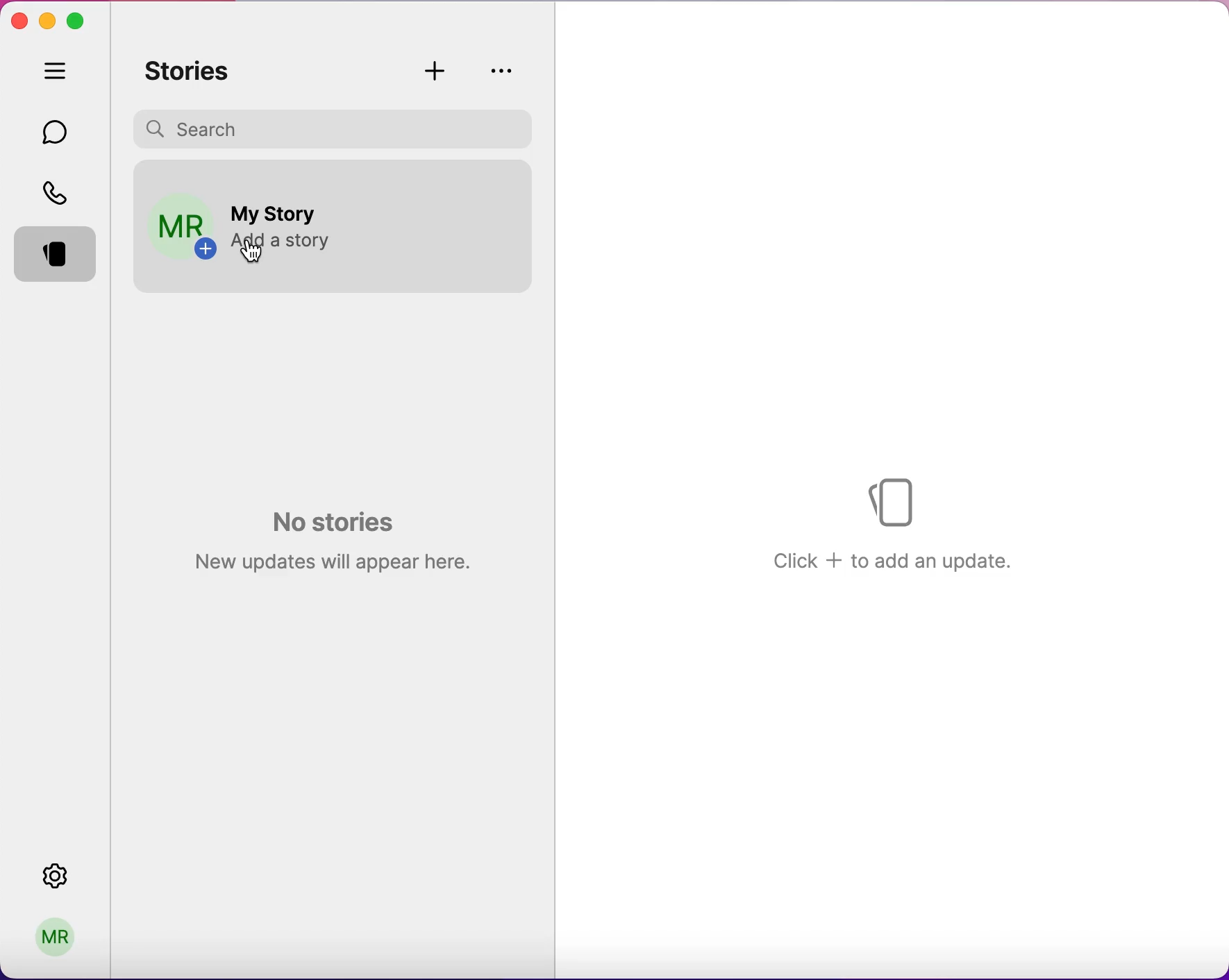 Image resolution: width=1229 pixels, height=980 pixels. Describe the element at coordinates (894, 559) in the screenshot. I see `Click + to add an update.` at that location.